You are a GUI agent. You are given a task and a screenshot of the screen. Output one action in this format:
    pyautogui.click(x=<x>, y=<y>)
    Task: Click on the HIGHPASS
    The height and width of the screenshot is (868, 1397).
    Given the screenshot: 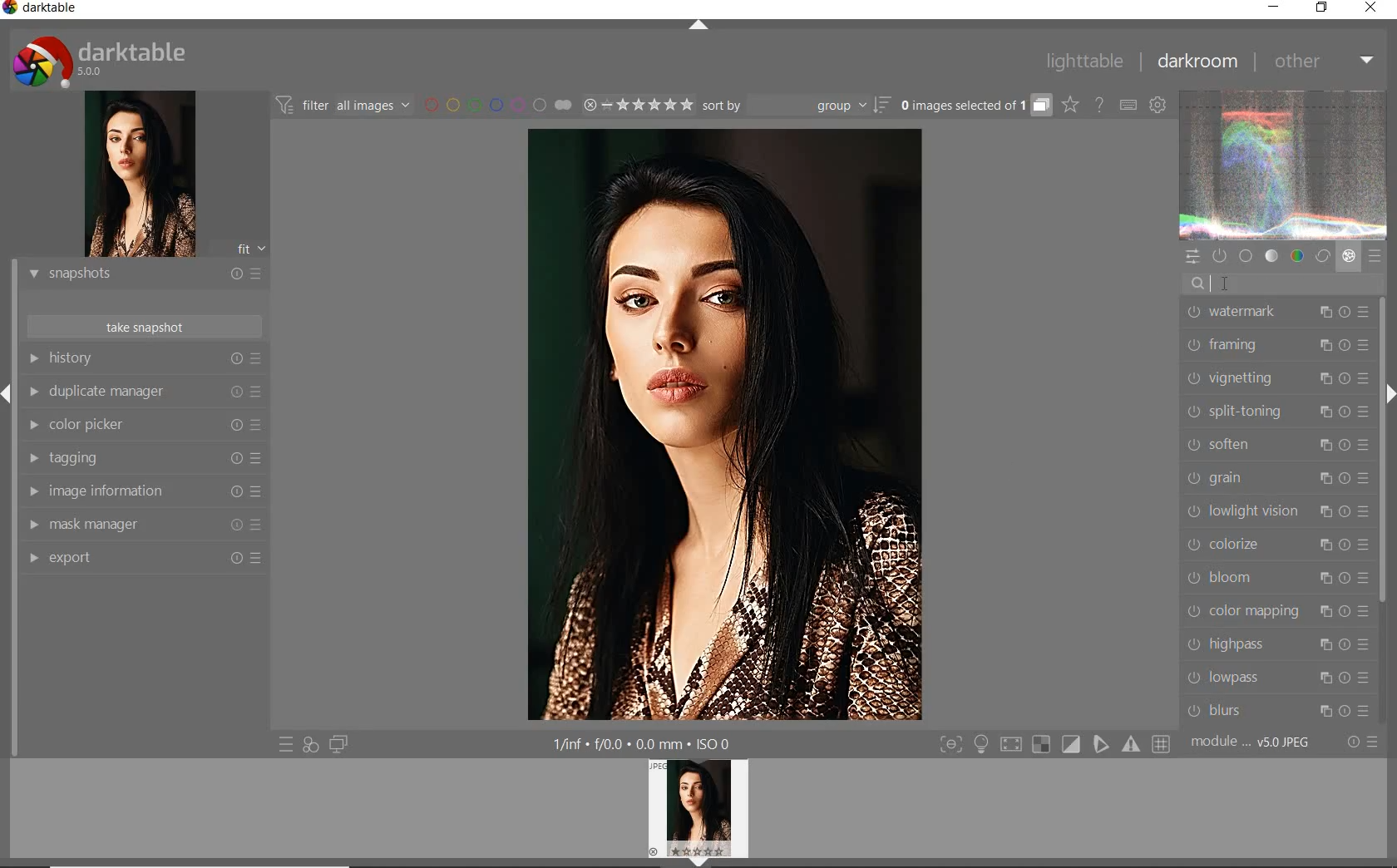 What is the action you would take?
    pyautogui.click(x=1274, y=644)
    